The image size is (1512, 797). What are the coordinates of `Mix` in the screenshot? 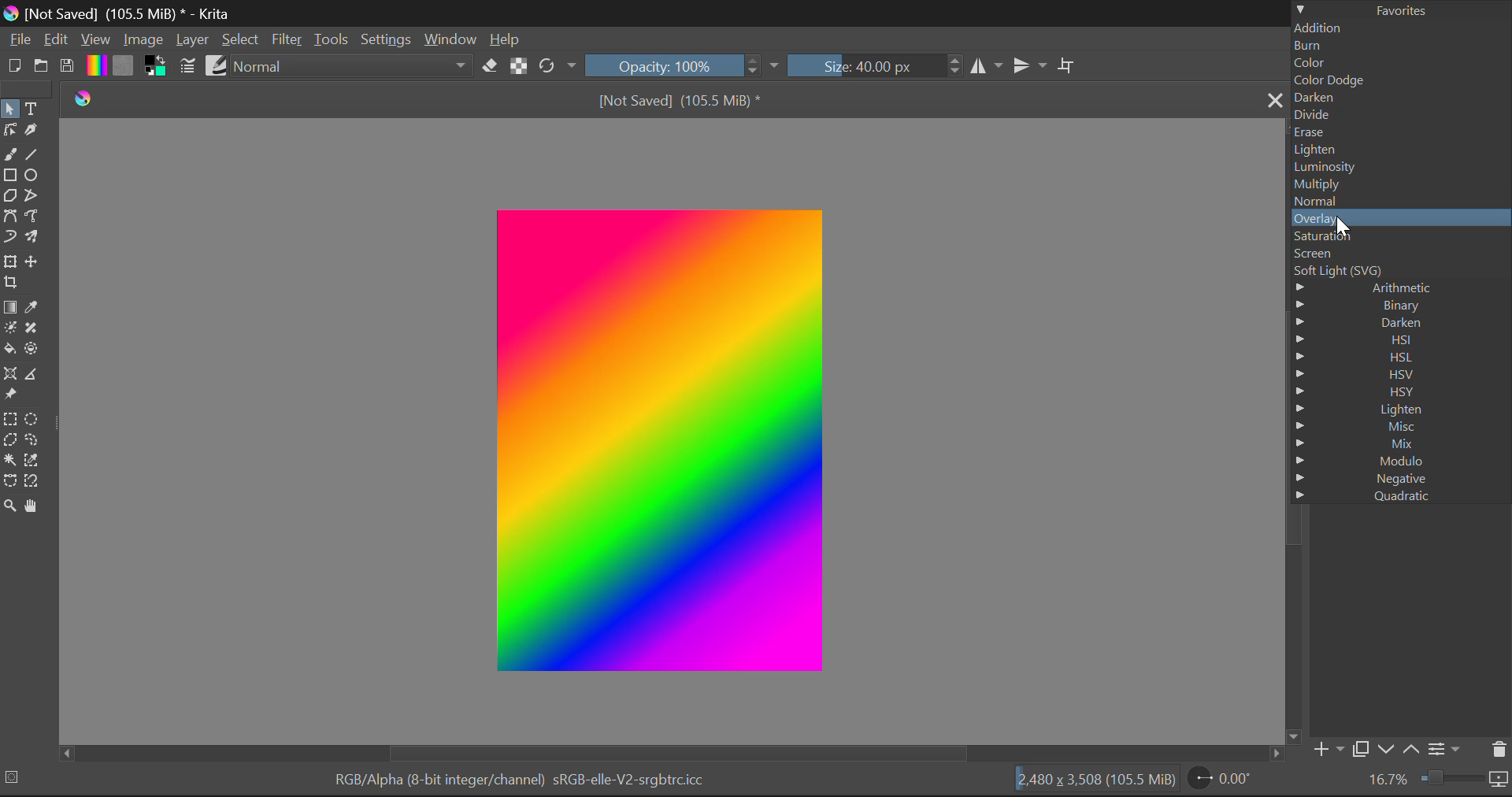 It's located at (1403, 443).